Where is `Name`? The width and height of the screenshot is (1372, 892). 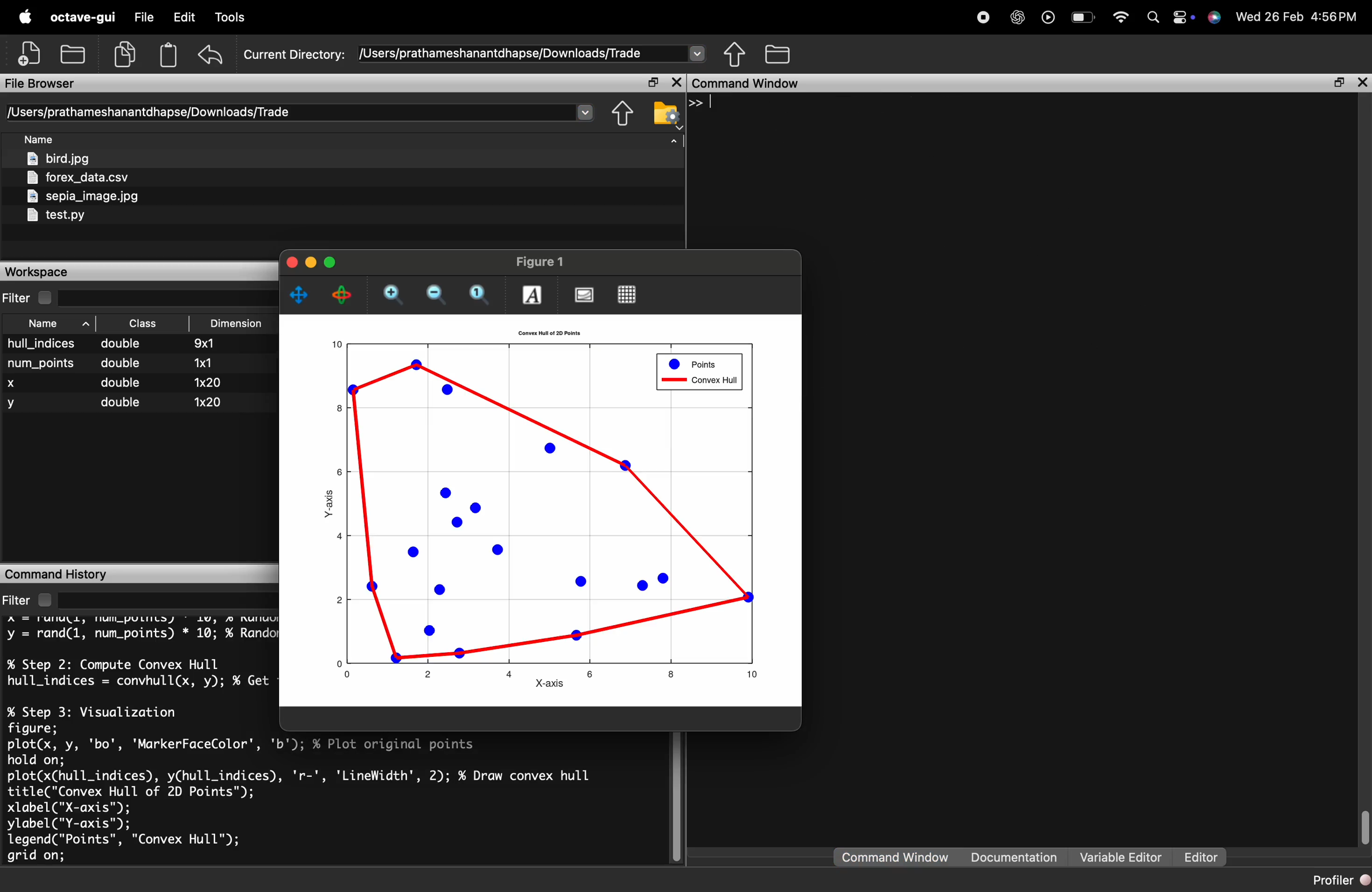
Name is located at coordinates (38, 137).